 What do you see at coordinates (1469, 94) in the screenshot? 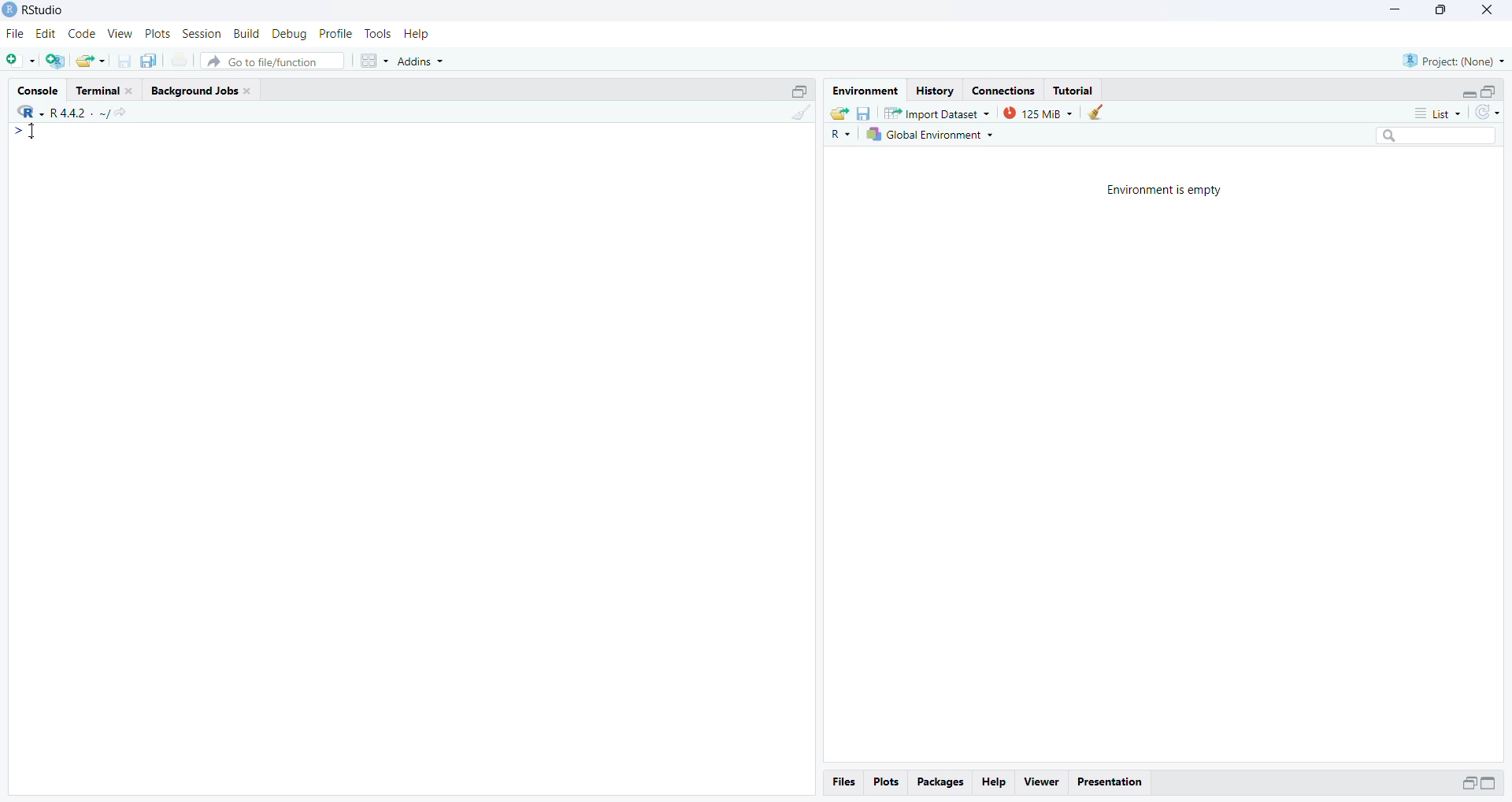
I see `minimize` at bounding box center [1469, 94].